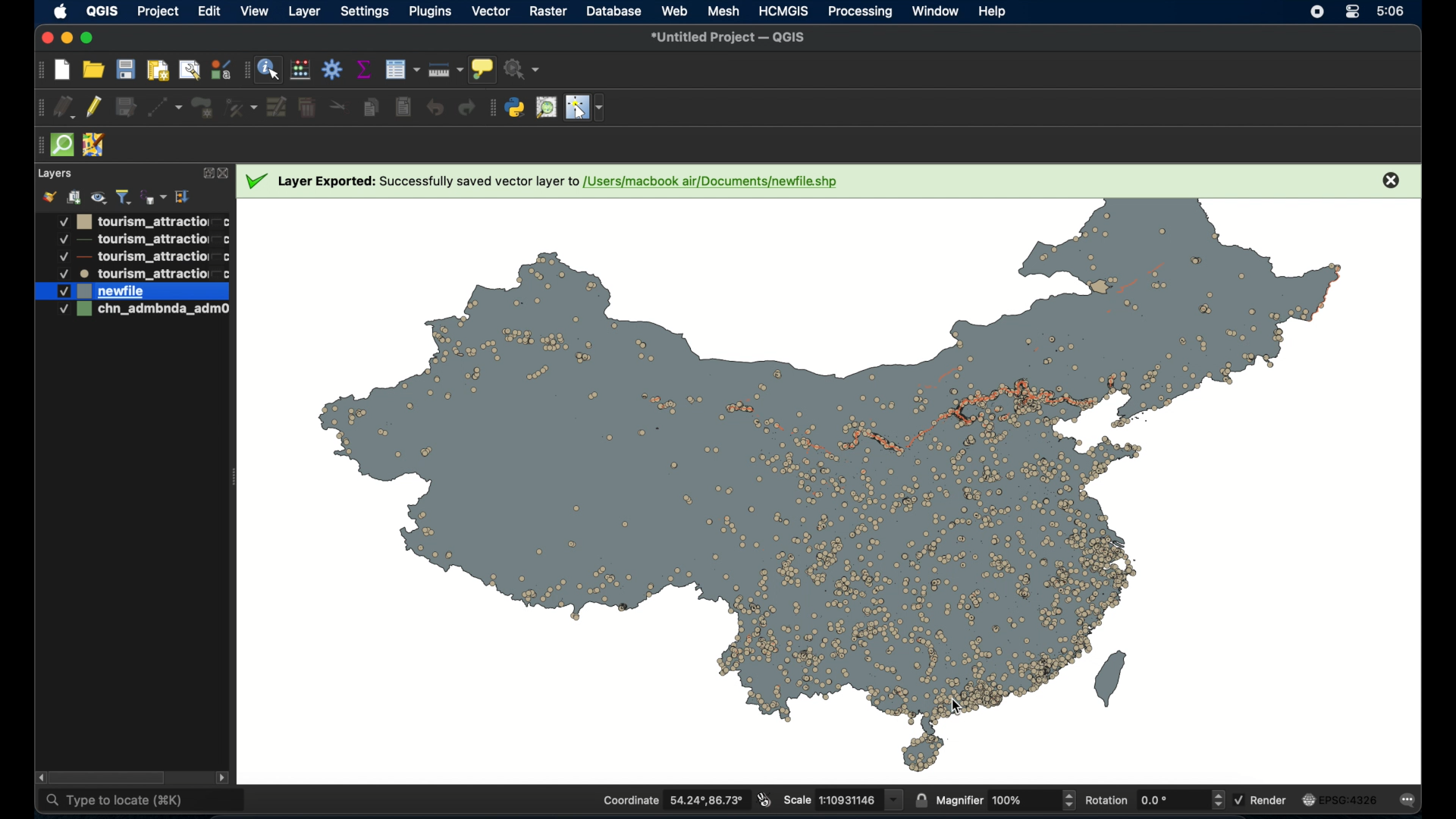 Image resolution: width=1456 pixels, height=819 pixels. I want to click on jsom remote, so click(95, 146).